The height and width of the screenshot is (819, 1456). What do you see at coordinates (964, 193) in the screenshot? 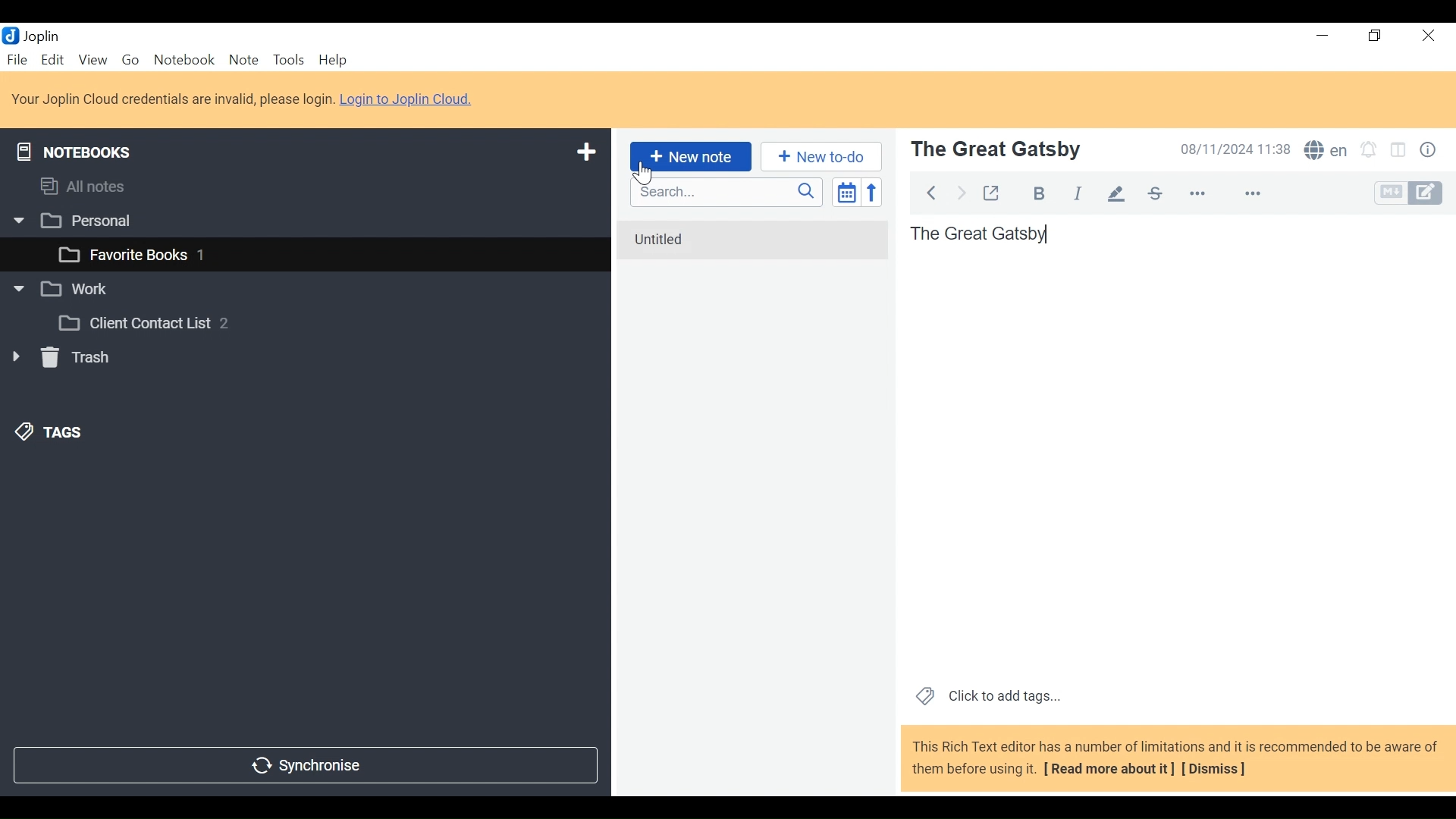
I see `Back` at bounding box center [964, 193].